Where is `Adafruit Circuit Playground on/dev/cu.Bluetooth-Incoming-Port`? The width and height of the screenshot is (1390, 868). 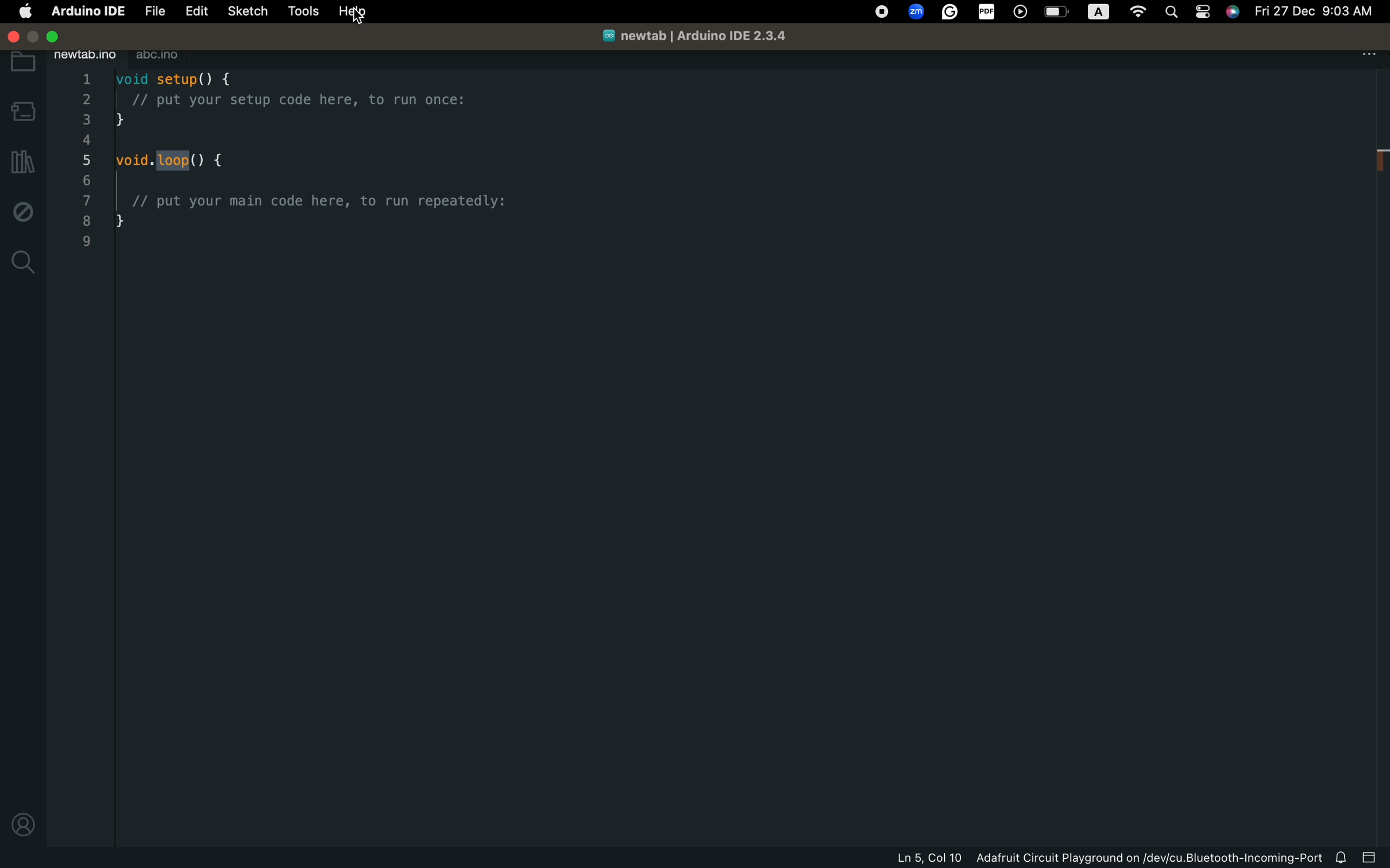
Adafruit Circuit Playground on/dev/cu.Bluetooth-Incoming-Port is located at coordinates (1147, 858).